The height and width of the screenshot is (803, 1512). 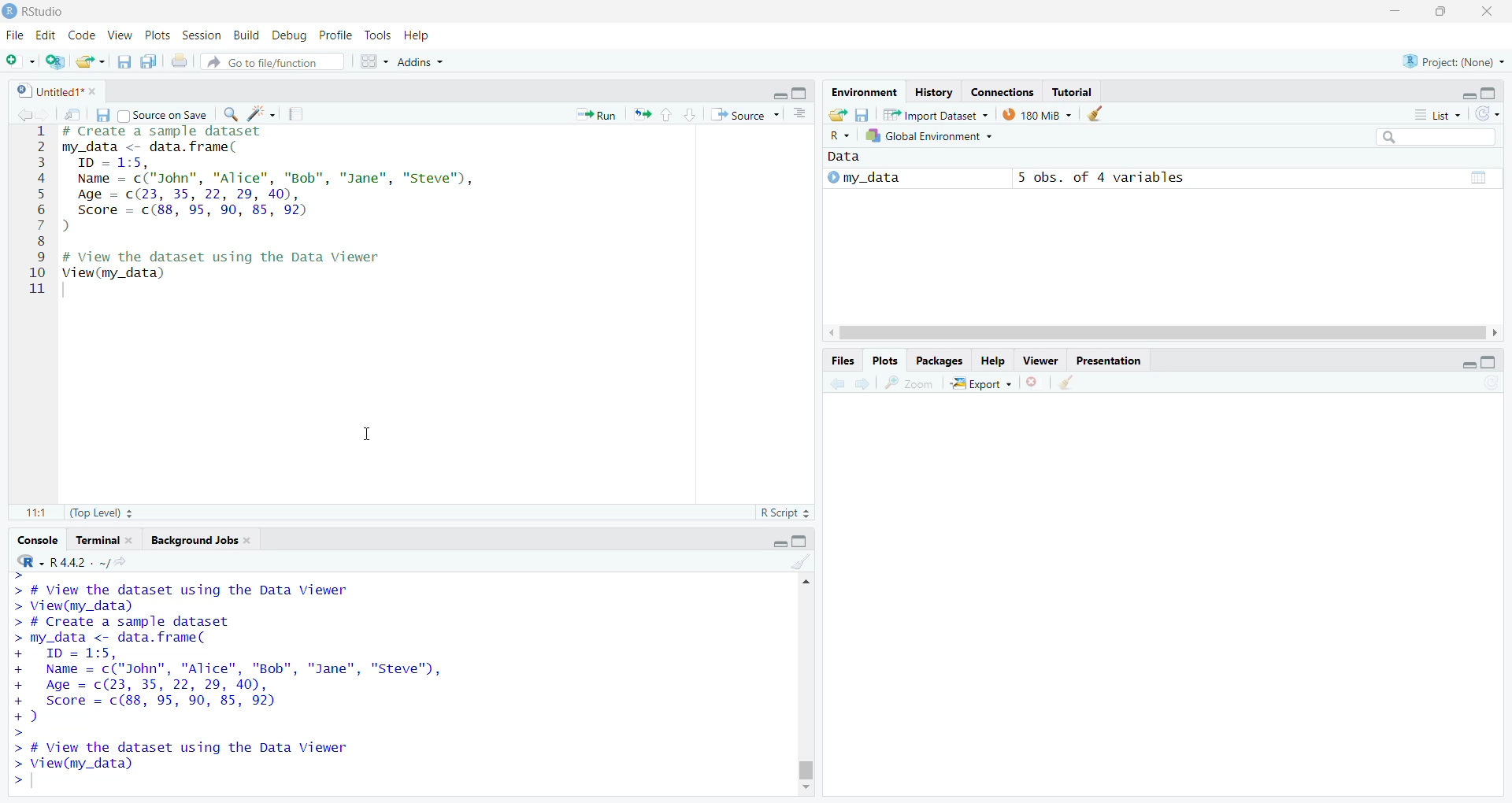 What do you see at coordinates (1093, 116) in the screenshot?
I see `Clear objects from the workspace` at bounding box center [1093, 116].